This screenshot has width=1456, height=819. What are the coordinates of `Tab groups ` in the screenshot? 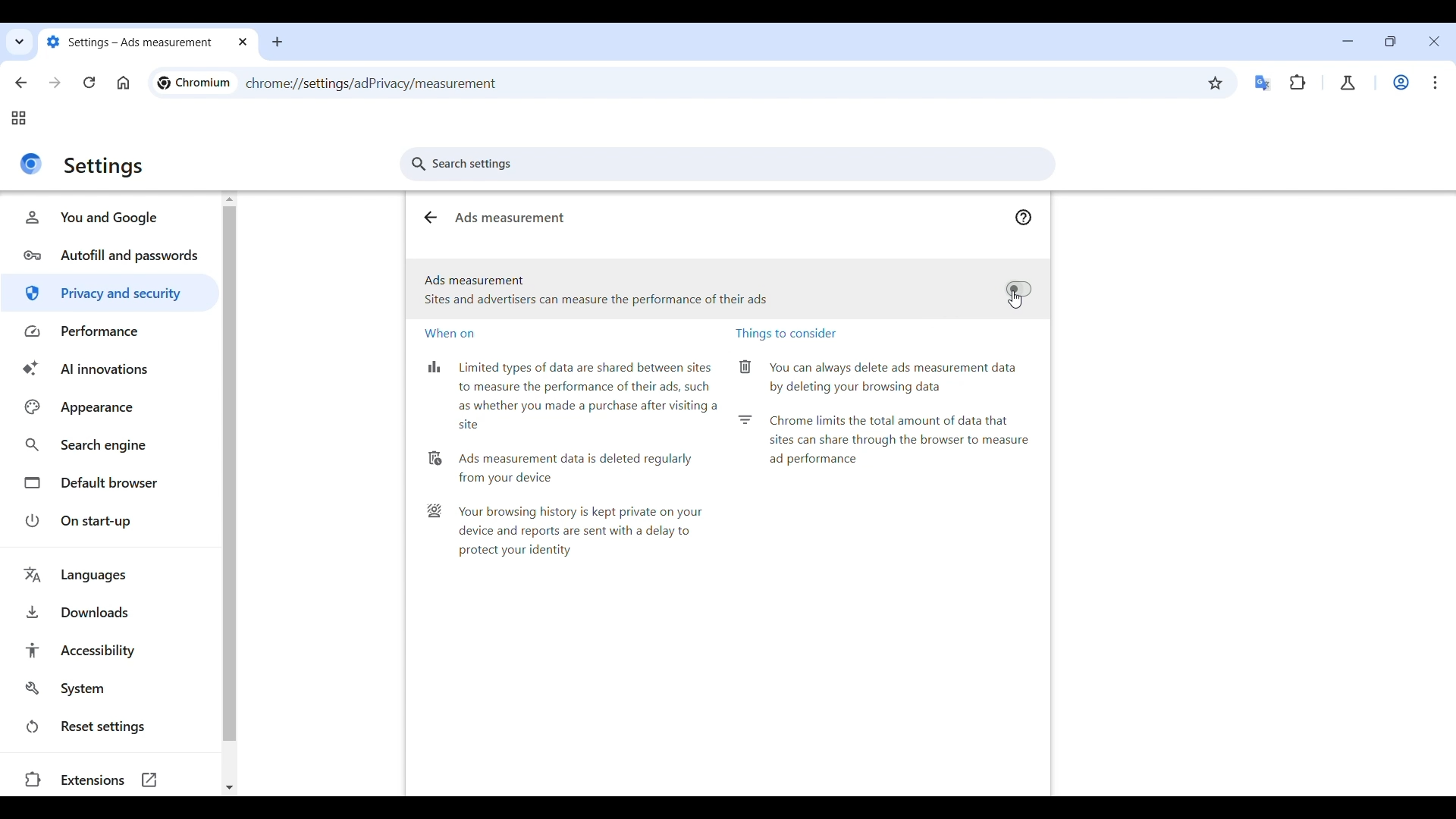 It's located at (19, 118).